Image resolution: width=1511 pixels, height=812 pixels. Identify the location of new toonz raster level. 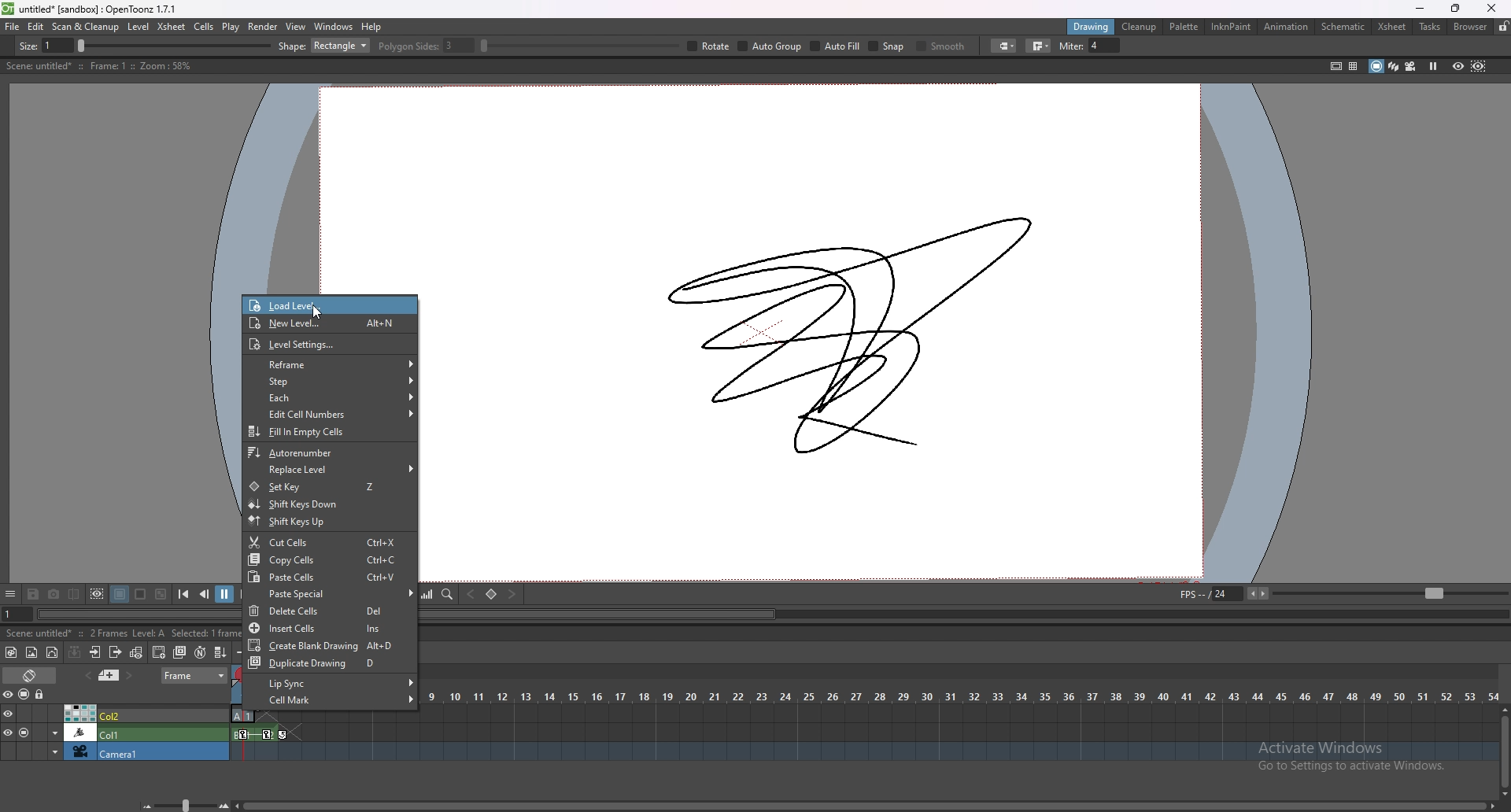
(12, 652).